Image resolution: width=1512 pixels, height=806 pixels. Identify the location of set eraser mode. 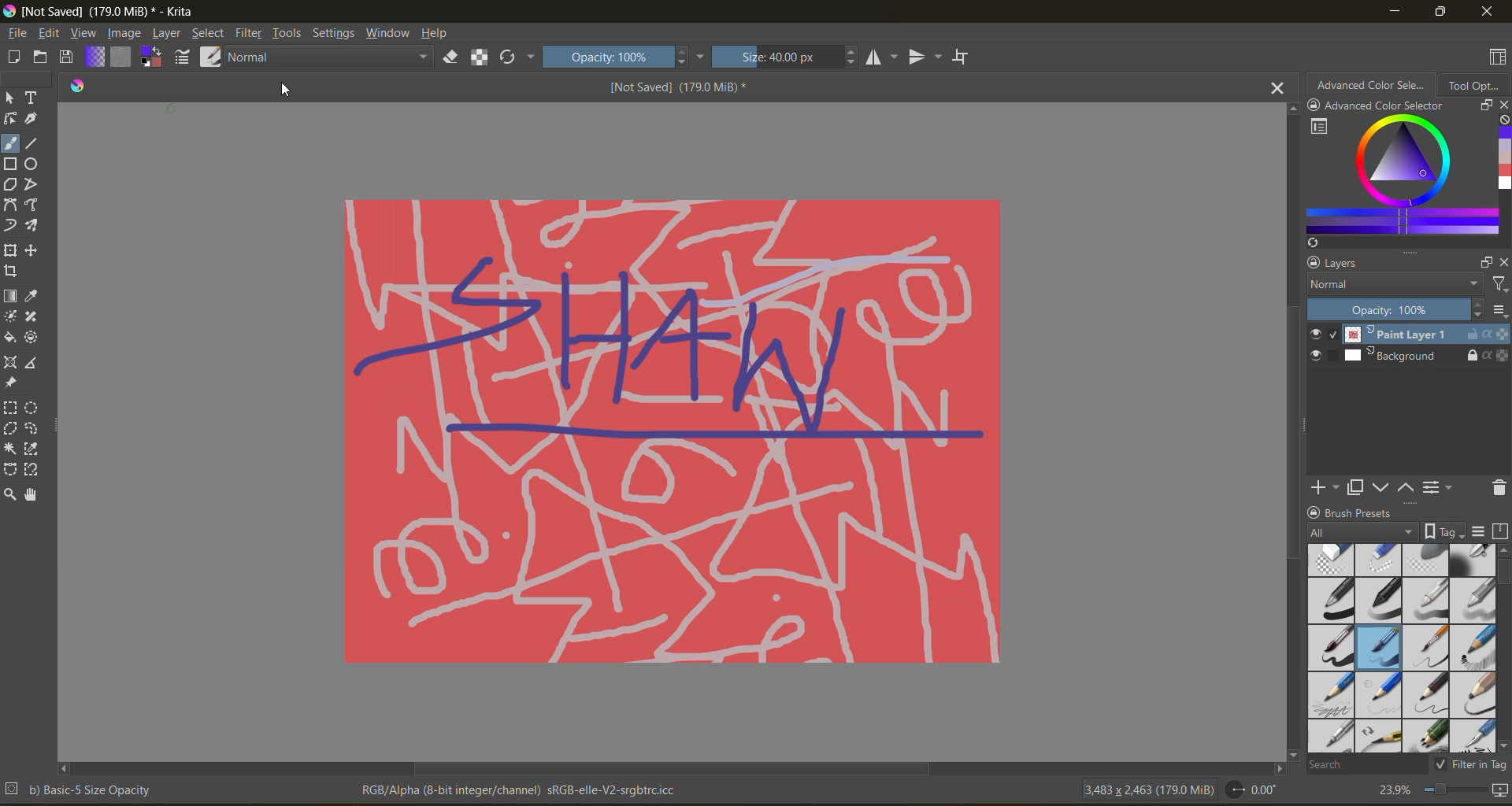
(451, 56).